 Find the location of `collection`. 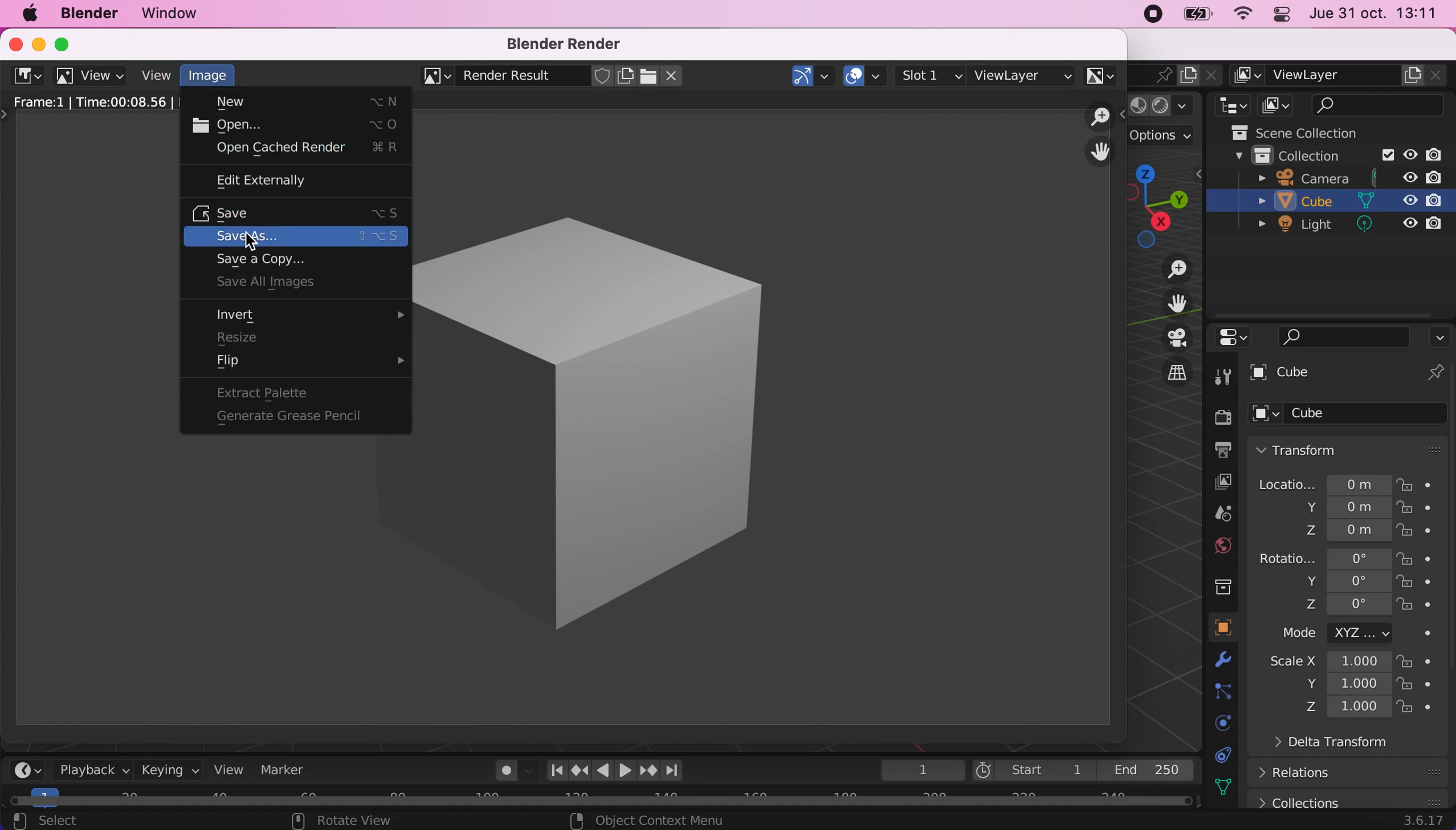

collection is located at coordinates (1222, 585).